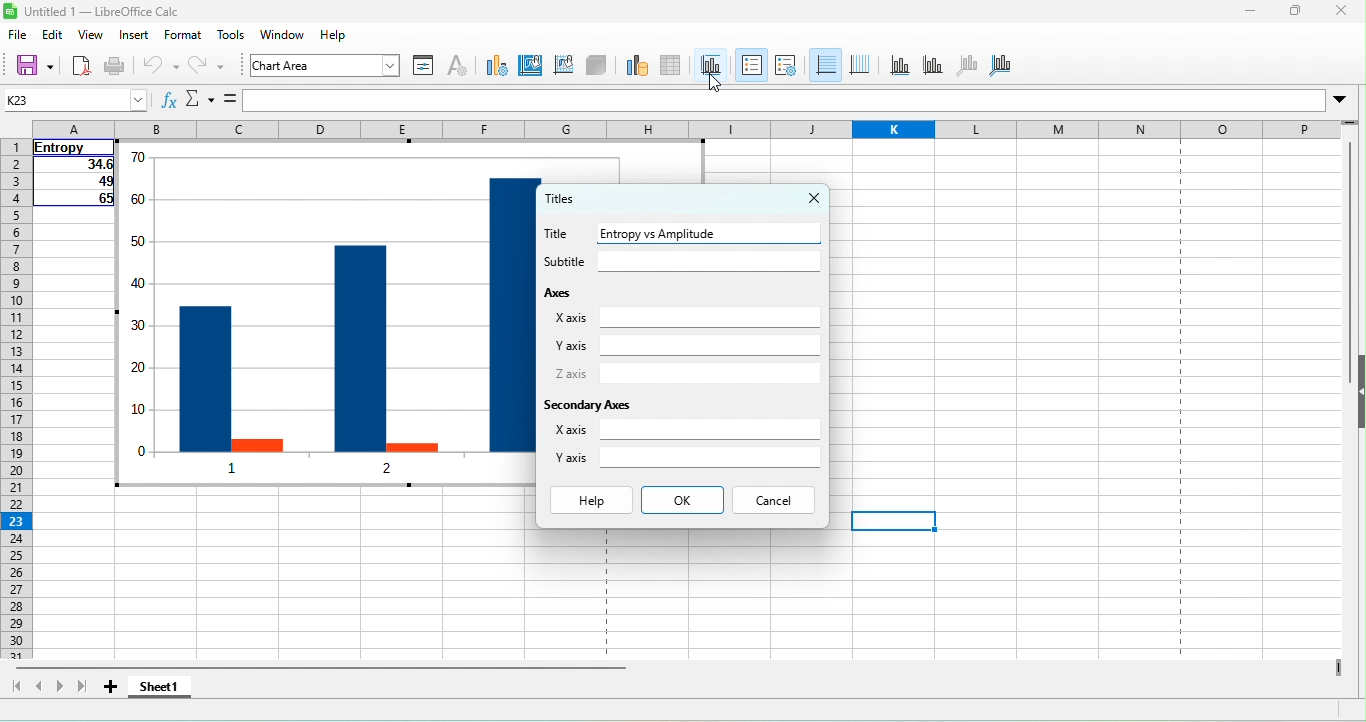 Image resolution: width=1366 pixels, height=722 pixels. Describe the element at coordinates (532, 68) in the screenshot. I see `chart area` at that location.